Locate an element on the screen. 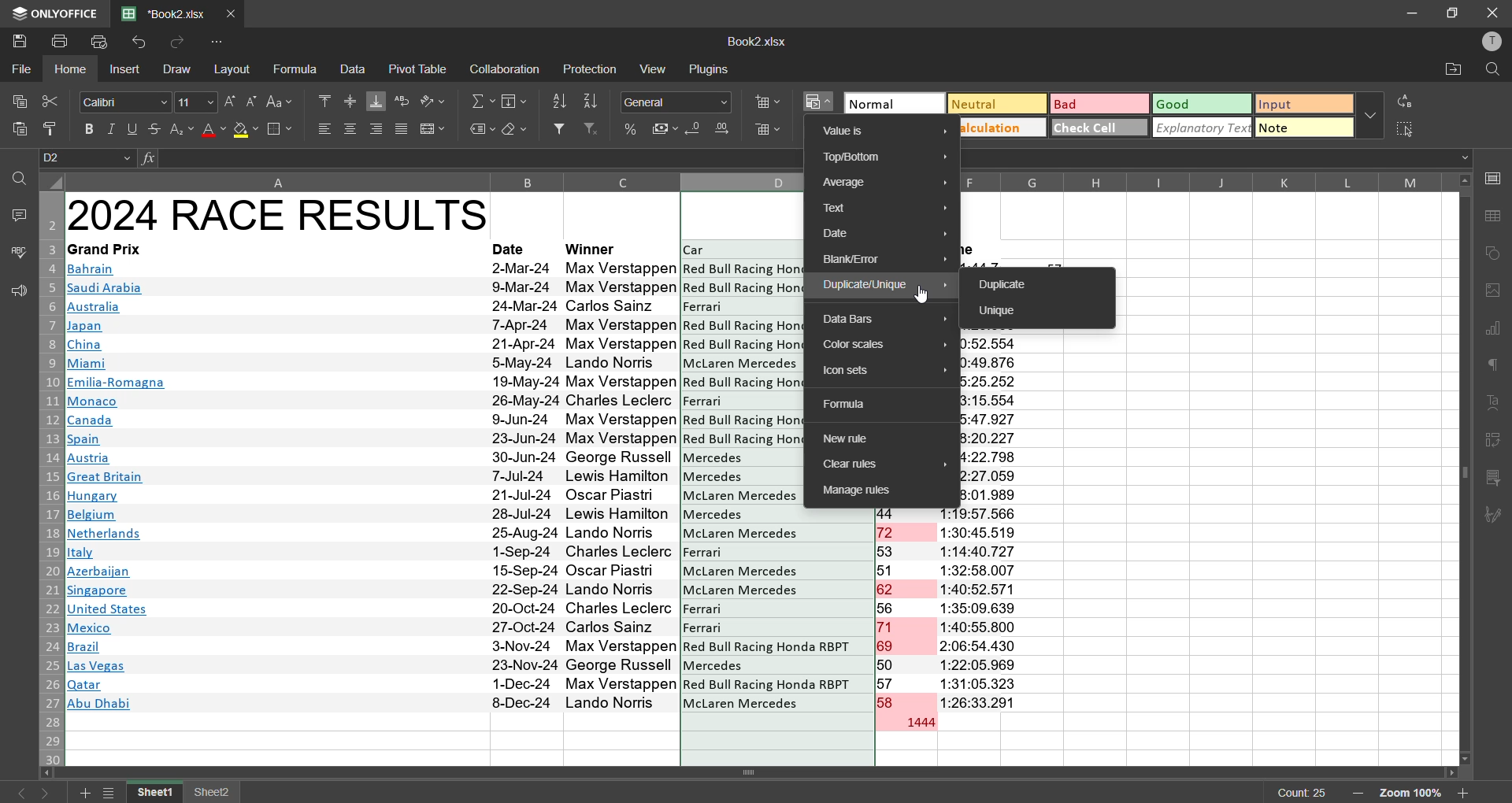 The image size is (1512, 803). data is located at coordinates (353, 68).